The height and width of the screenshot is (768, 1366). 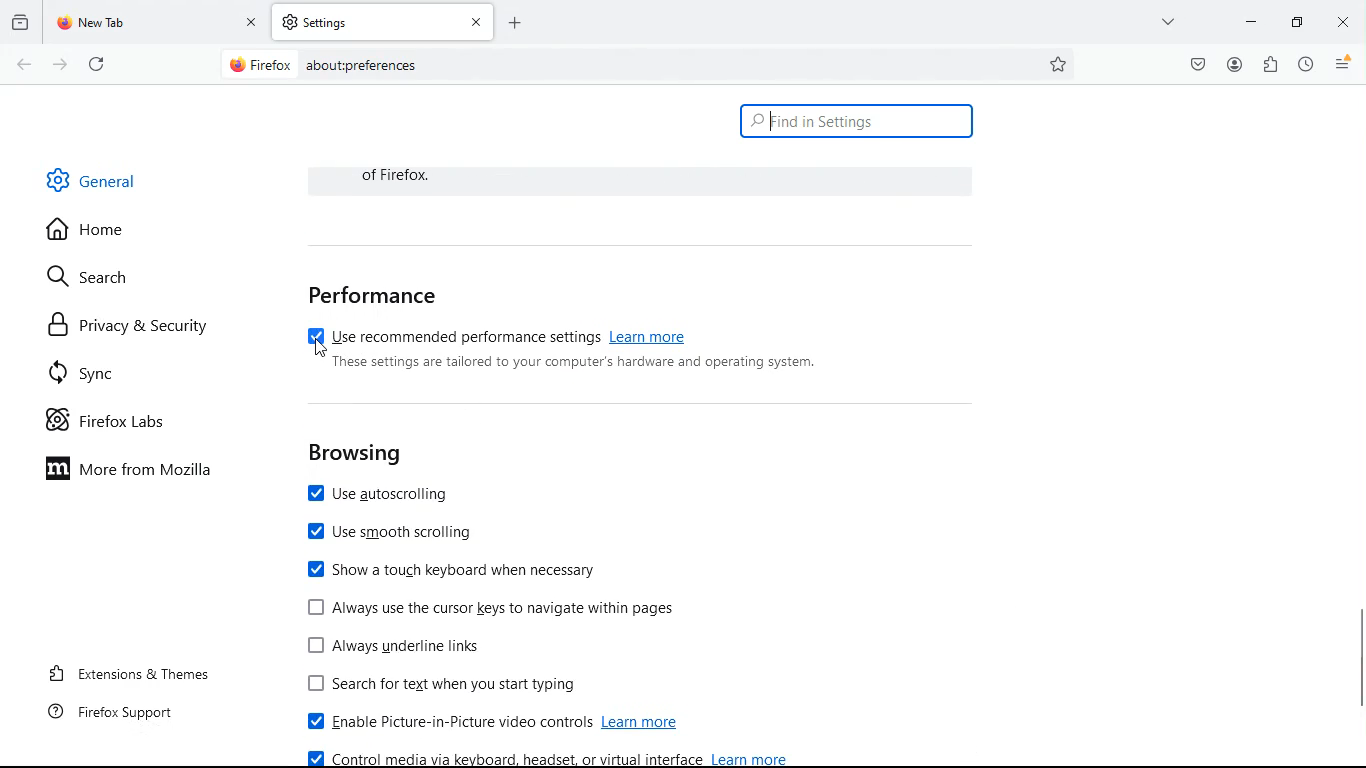 I want to click on firefox support, so click(x=108, y=717).